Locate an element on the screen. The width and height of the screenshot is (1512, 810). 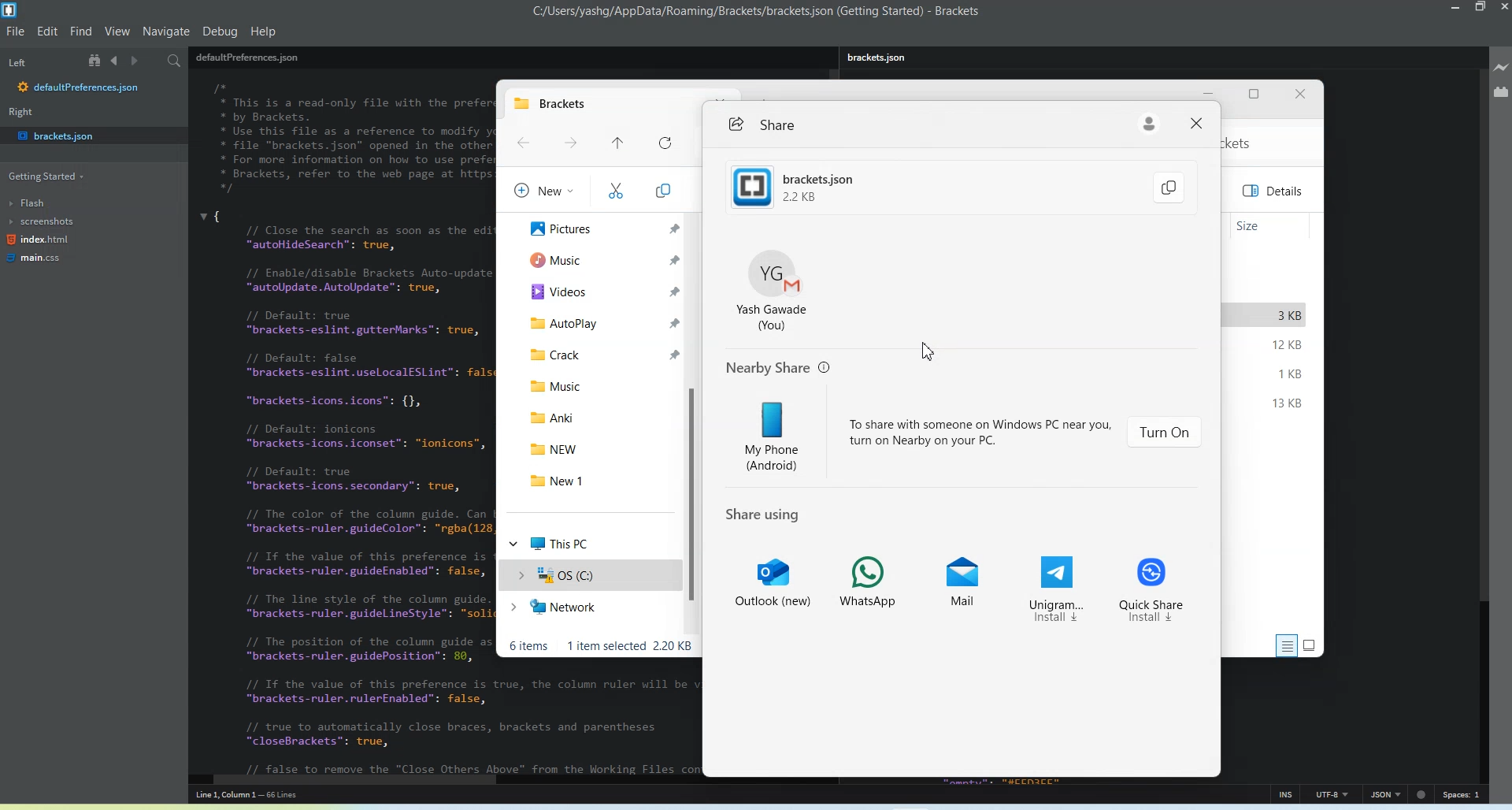
Share using is located at coordinates (763, 515).